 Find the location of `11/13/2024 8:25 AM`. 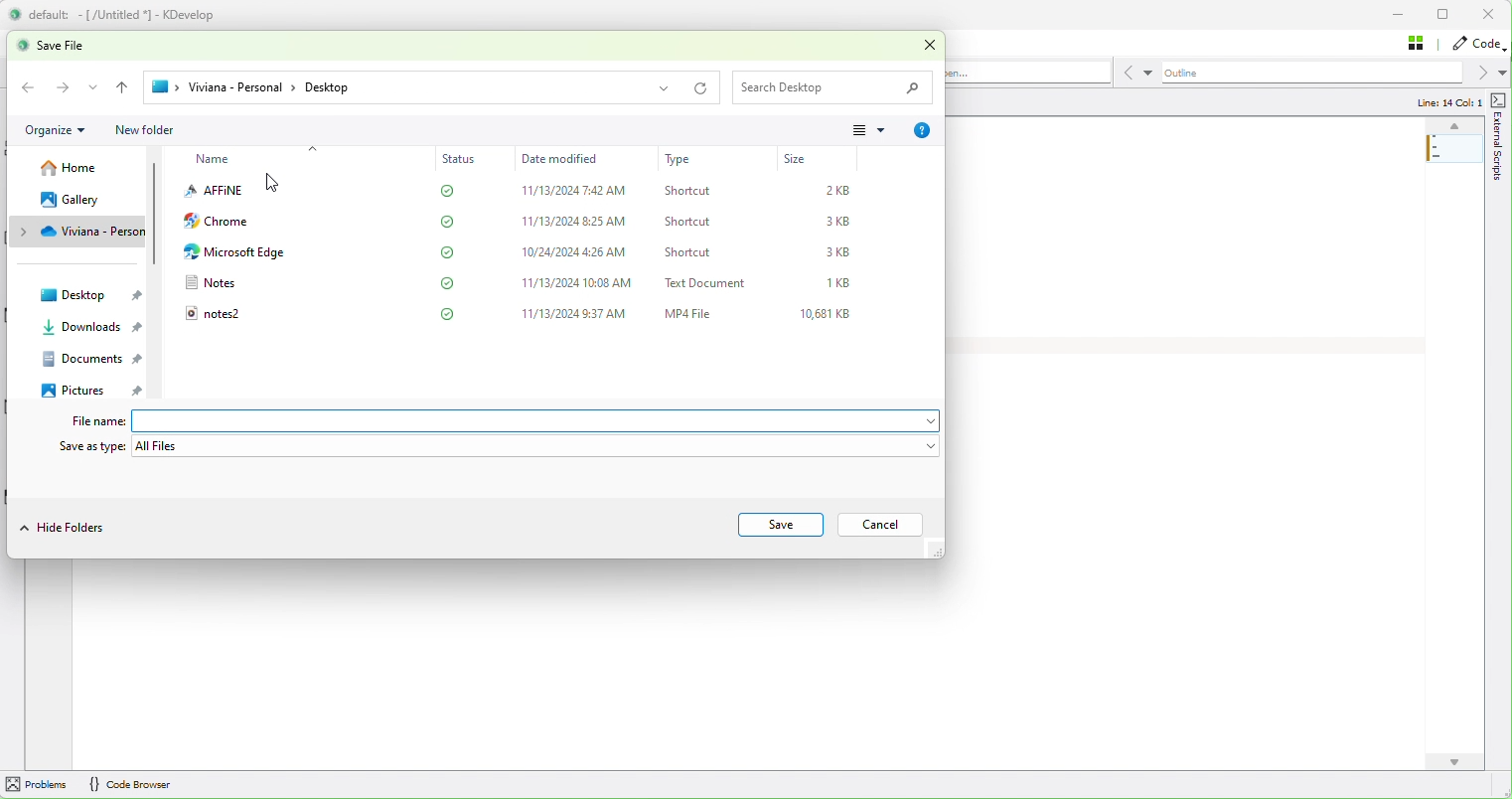

11/13/2024 8:25 AM is located at coordinates (576, 222).